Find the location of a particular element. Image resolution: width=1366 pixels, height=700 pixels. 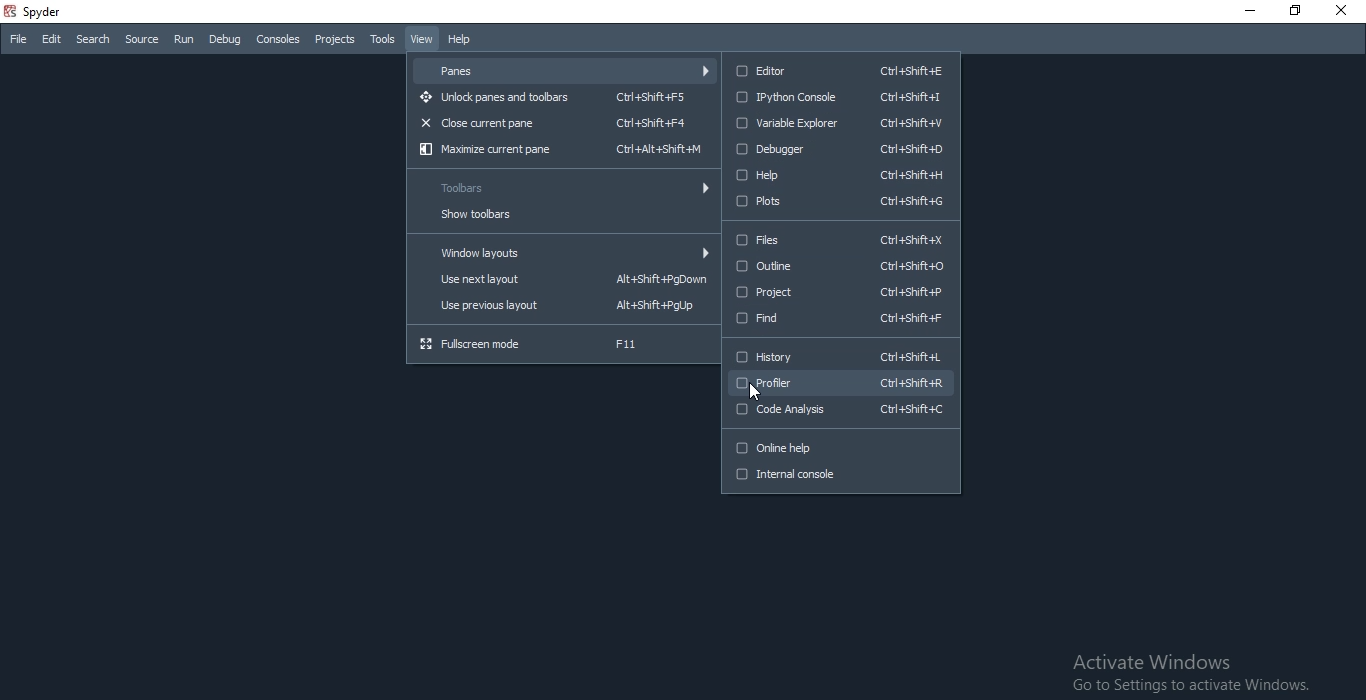

Panes is located at coordinates (565, 69).